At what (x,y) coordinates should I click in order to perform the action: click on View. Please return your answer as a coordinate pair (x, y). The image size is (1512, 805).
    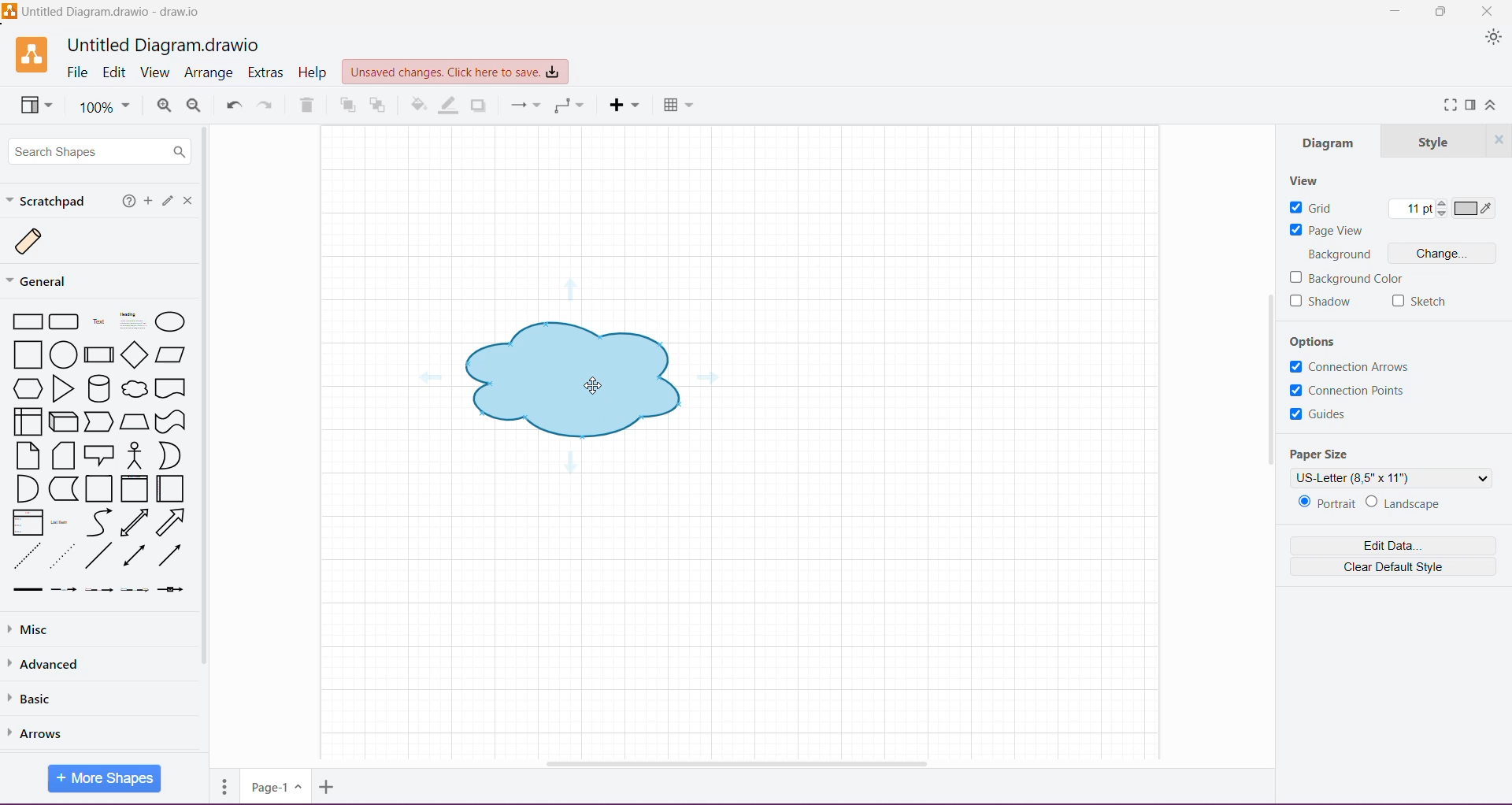
    Looking at the image, I should click on (154, 72).